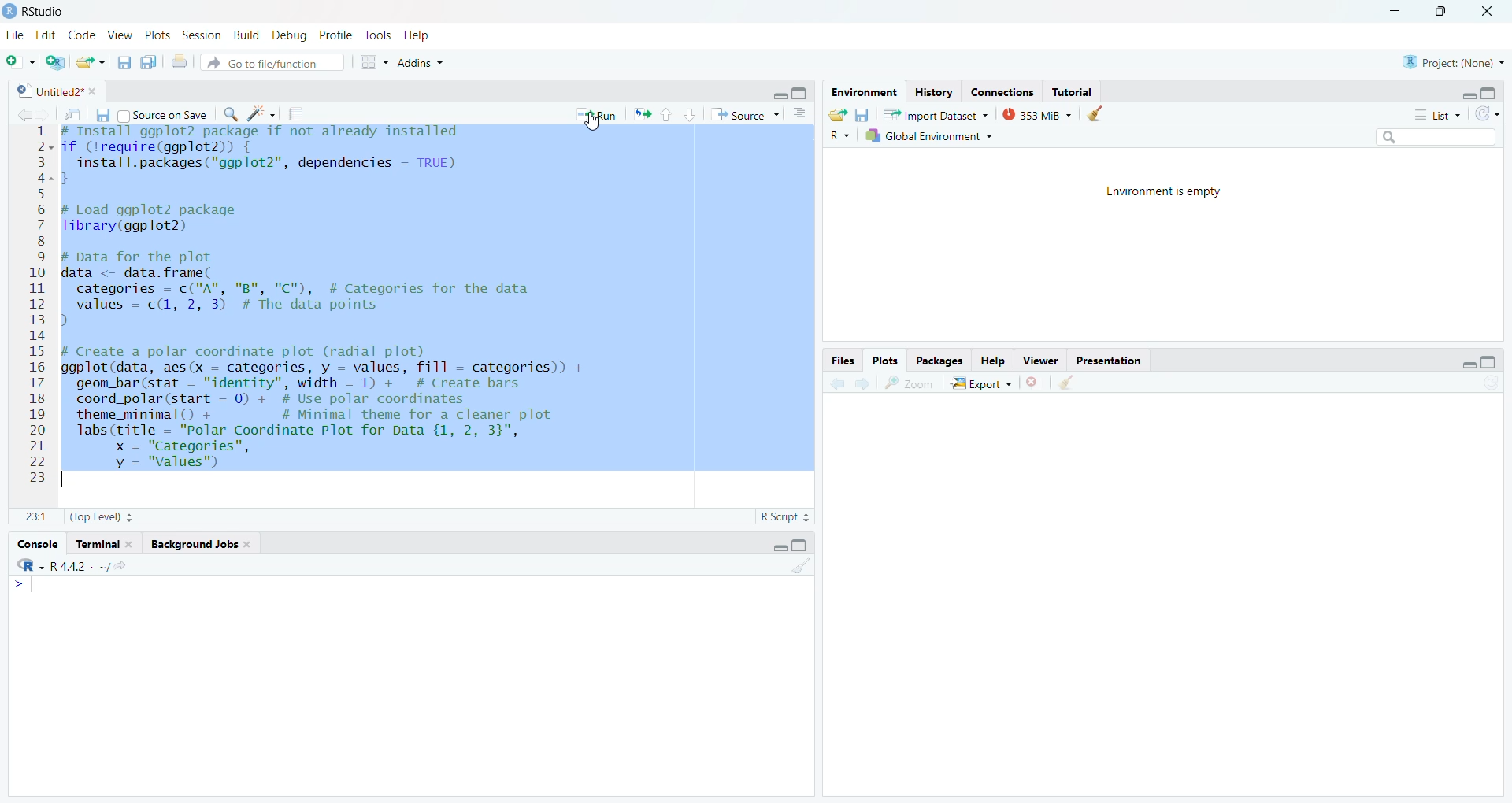 The height and width of the screenshot is (803, 1512). I want to click on go to previous section/chunk, so click(669, 115).